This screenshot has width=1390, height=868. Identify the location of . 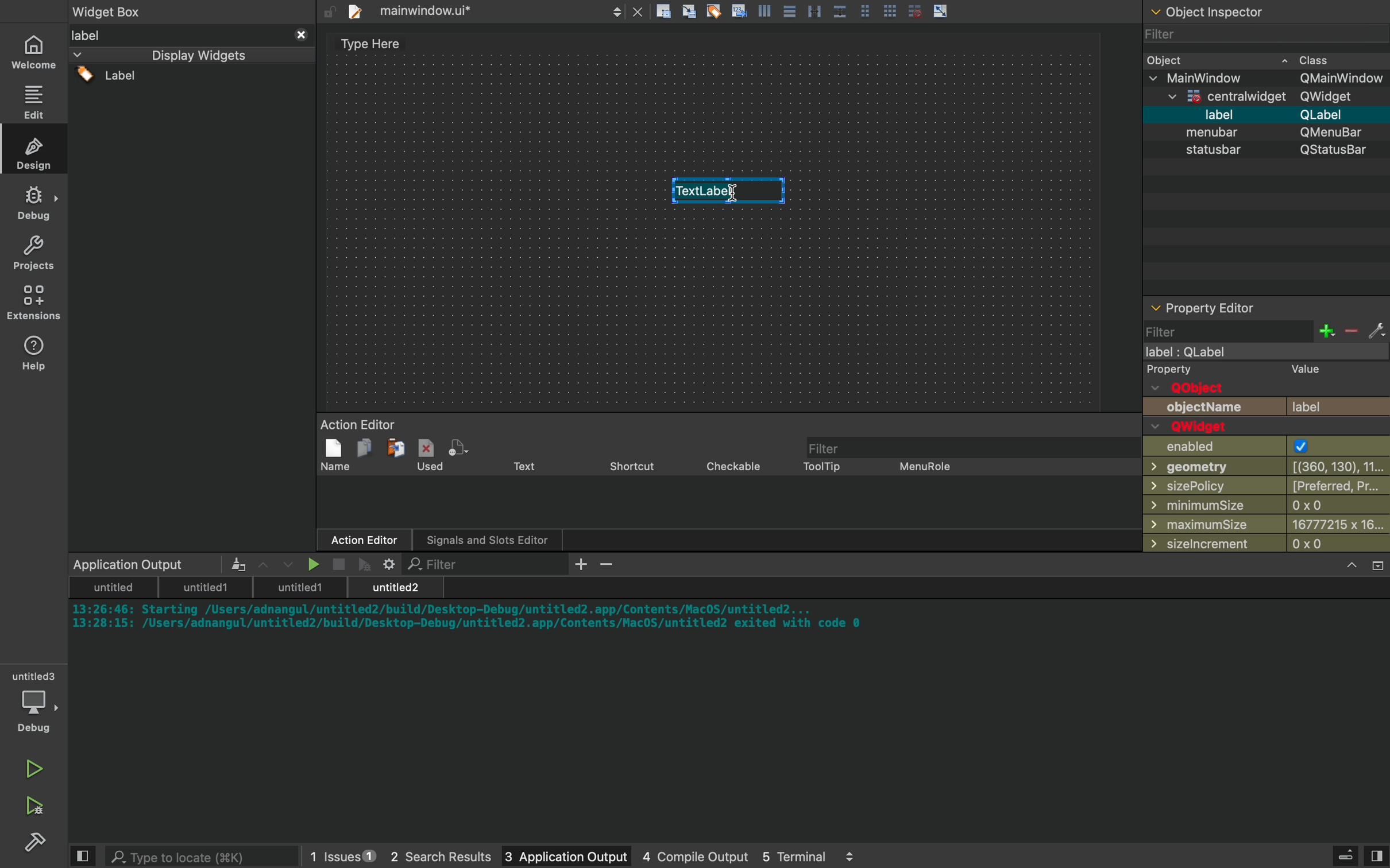
(1223, 11).